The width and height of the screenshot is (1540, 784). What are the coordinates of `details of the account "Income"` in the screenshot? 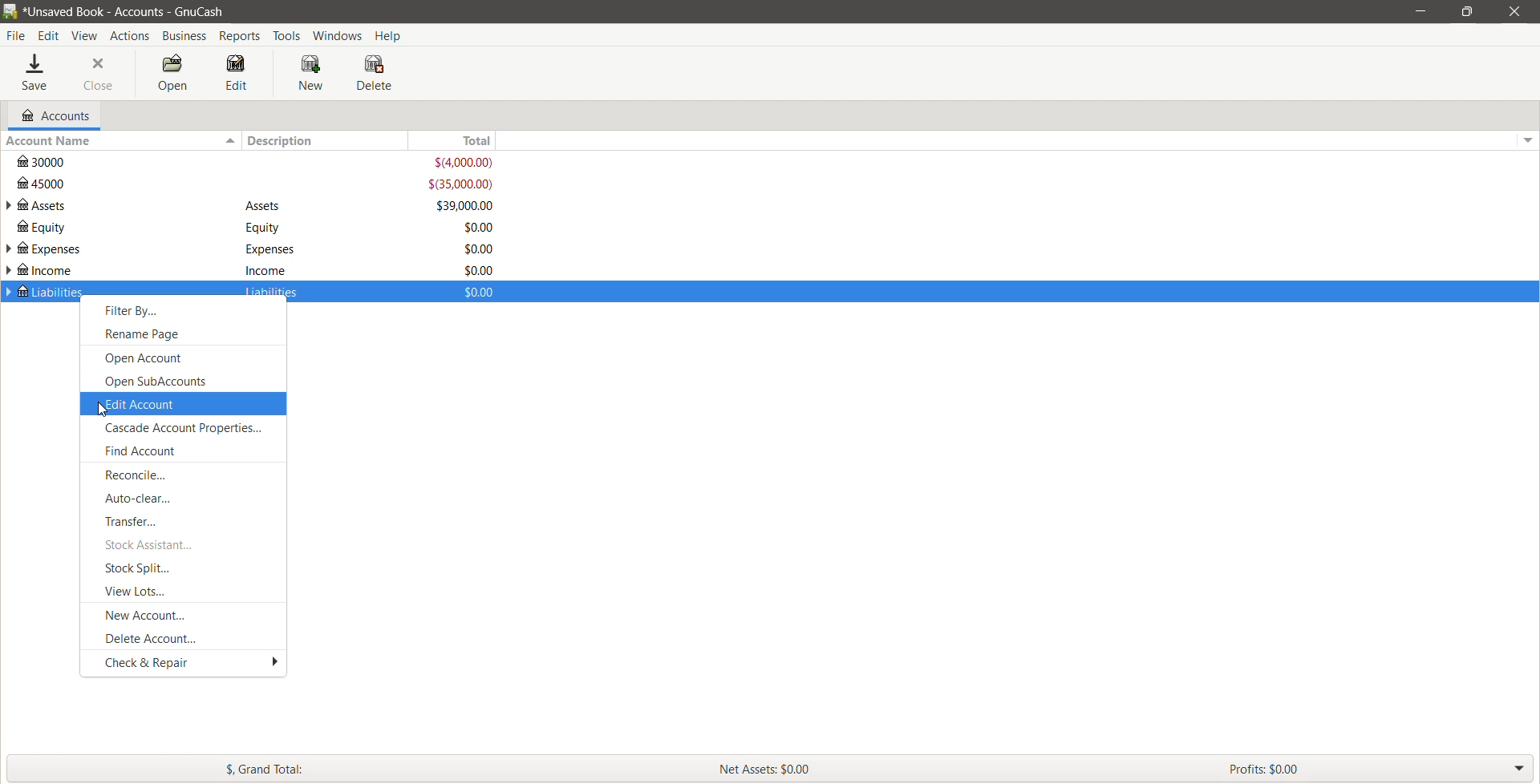 It's located at (266, 269).